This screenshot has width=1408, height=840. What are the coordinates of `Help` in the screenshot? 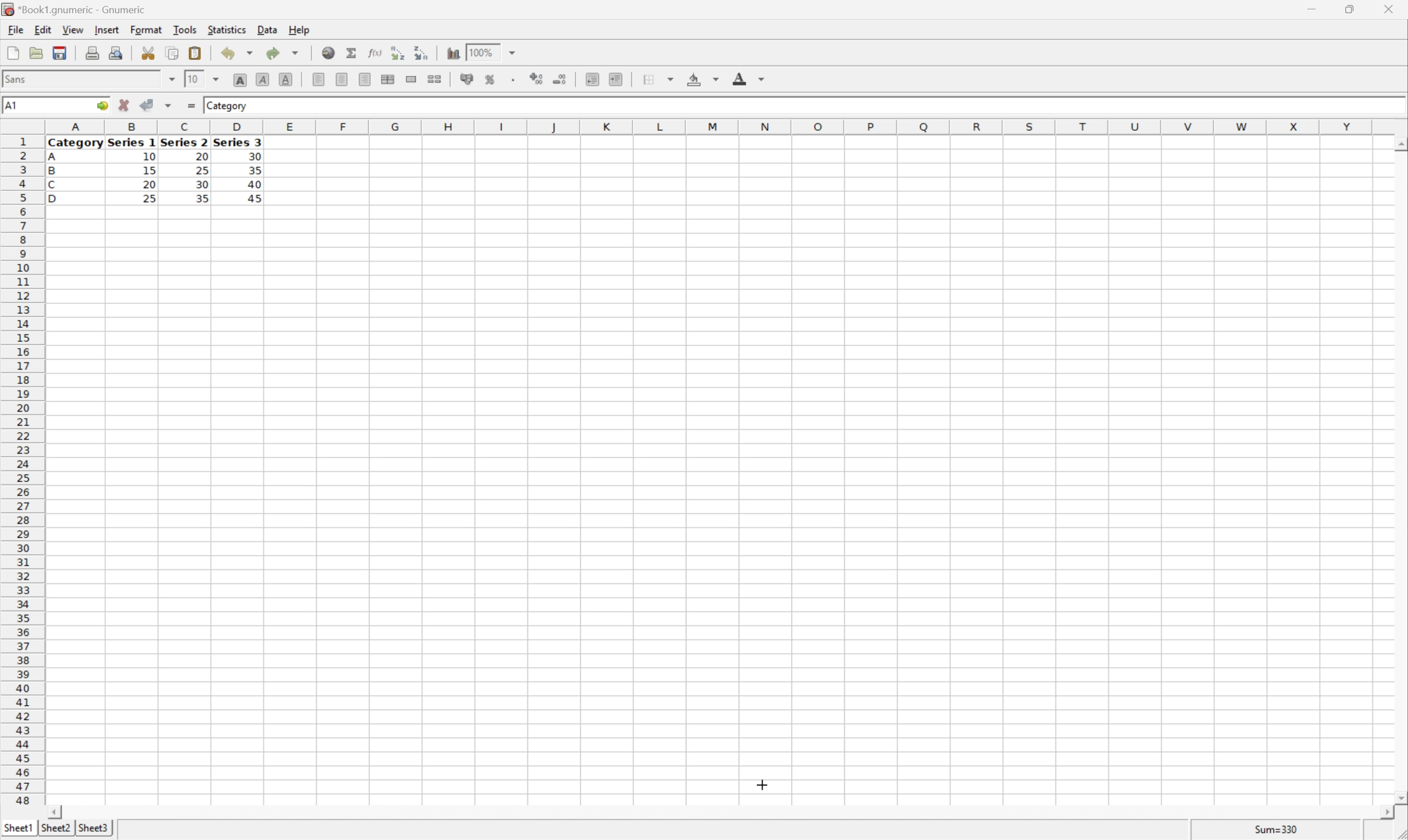 It's located at (300, 31).